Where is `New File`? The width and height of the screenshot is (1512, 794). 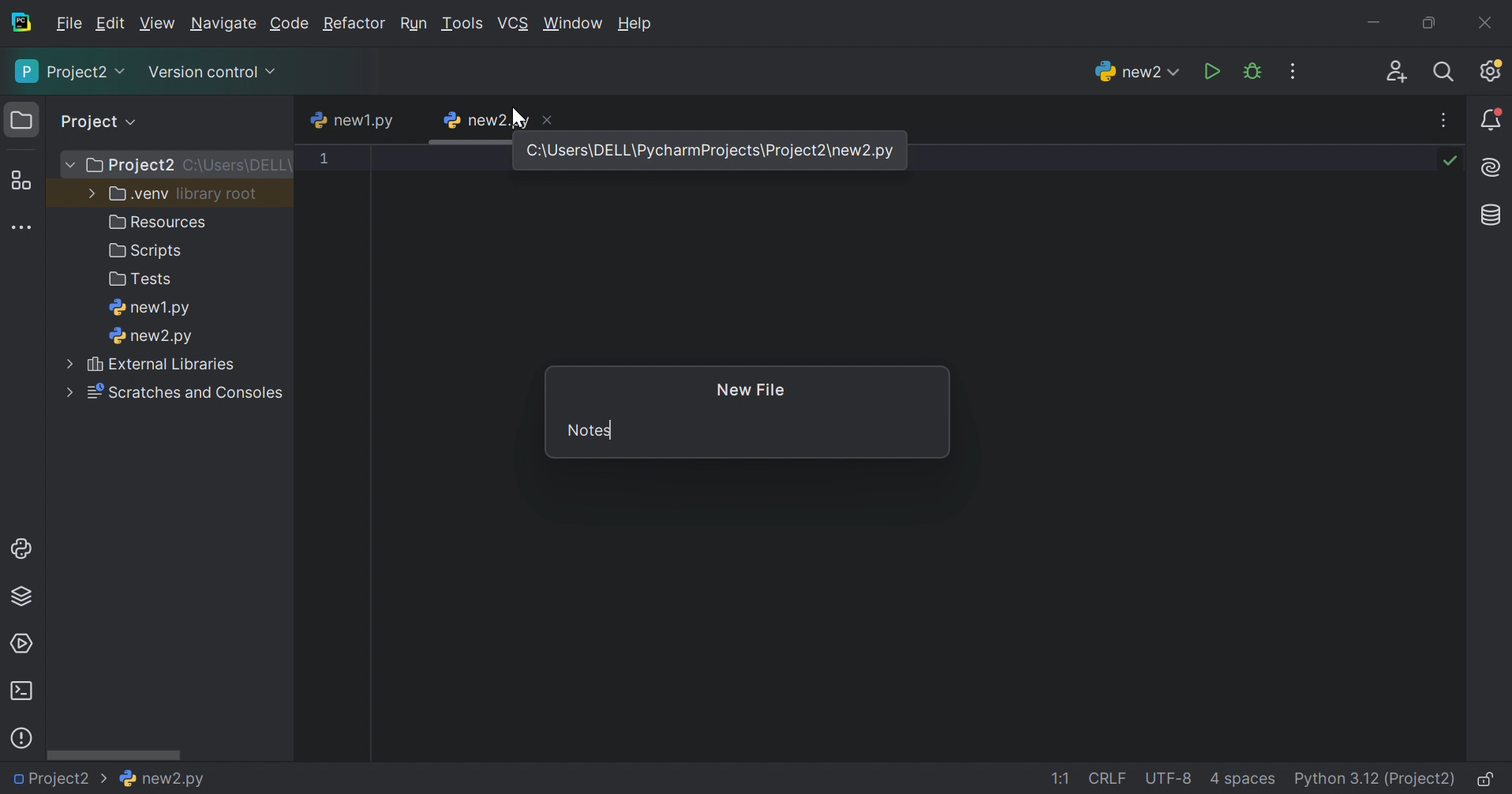 New File is located at coordinates (754, 391).